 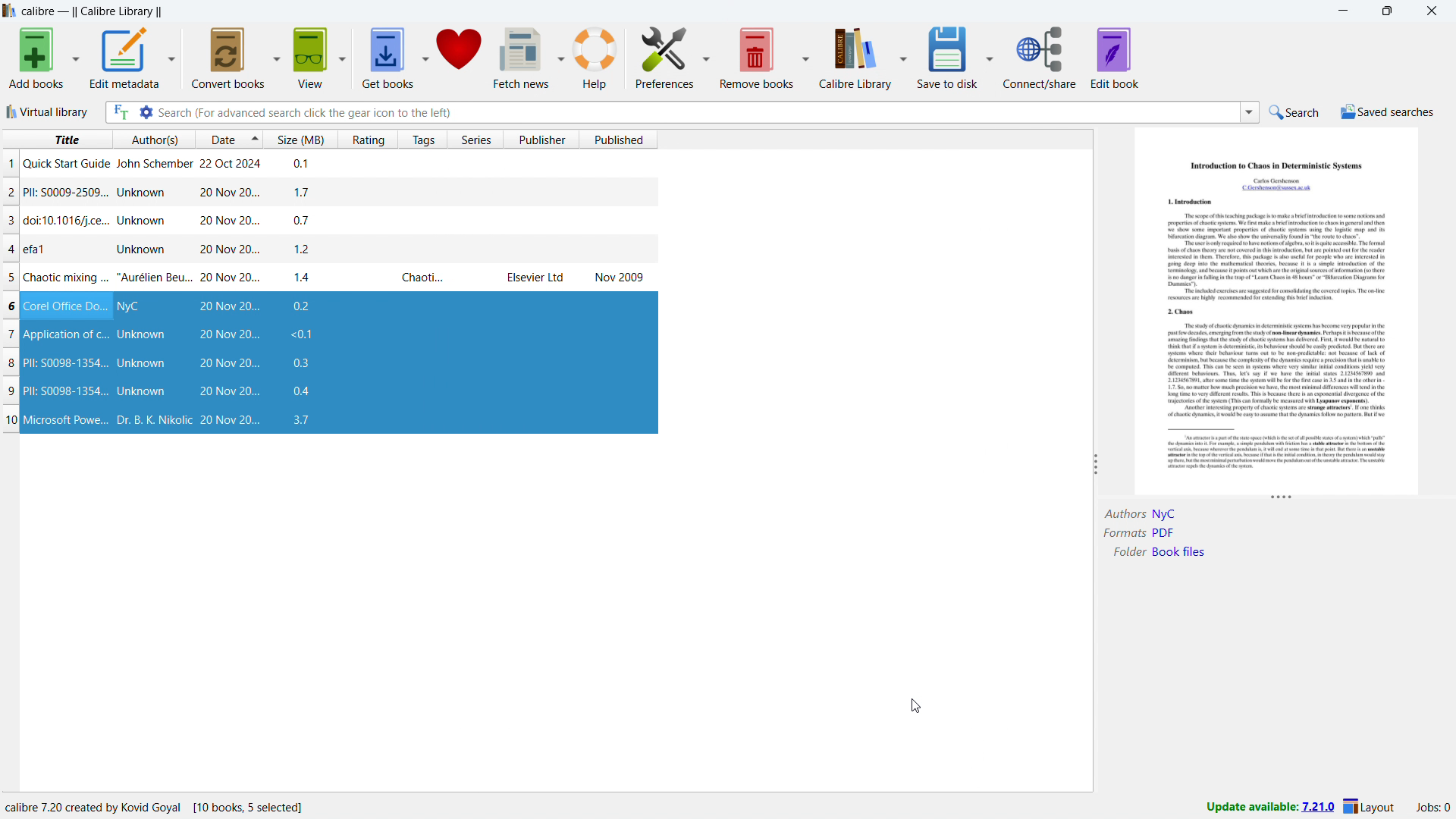 What do you see at coordinates (362, 140) in the screenshot?
I see `sort by rating` at bounding box center [362, 140].